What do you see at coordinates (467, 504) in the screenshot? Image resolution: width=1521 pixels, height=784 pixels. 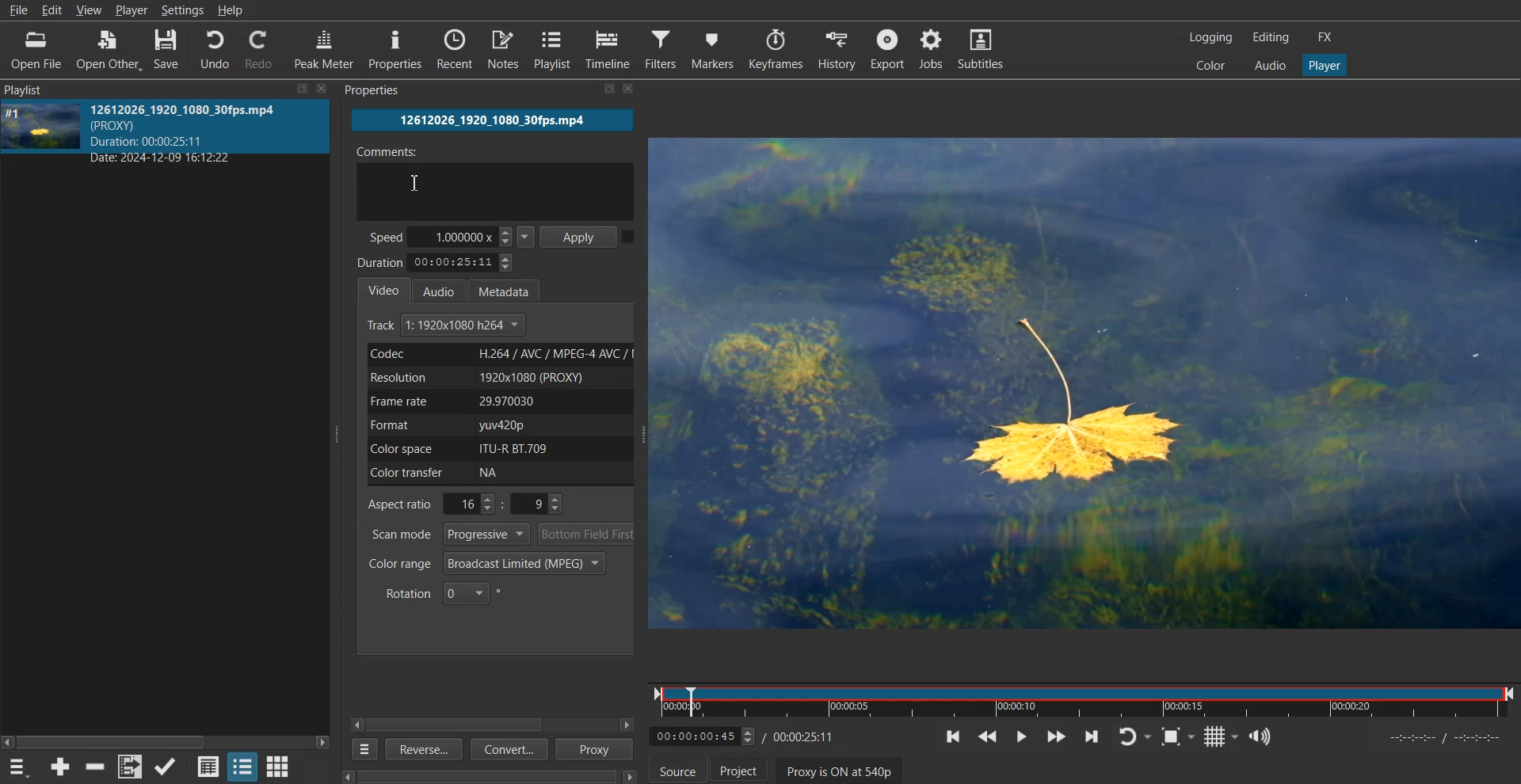 I see `Aspect ratio Adjuster` at bounding box center [467, 504].